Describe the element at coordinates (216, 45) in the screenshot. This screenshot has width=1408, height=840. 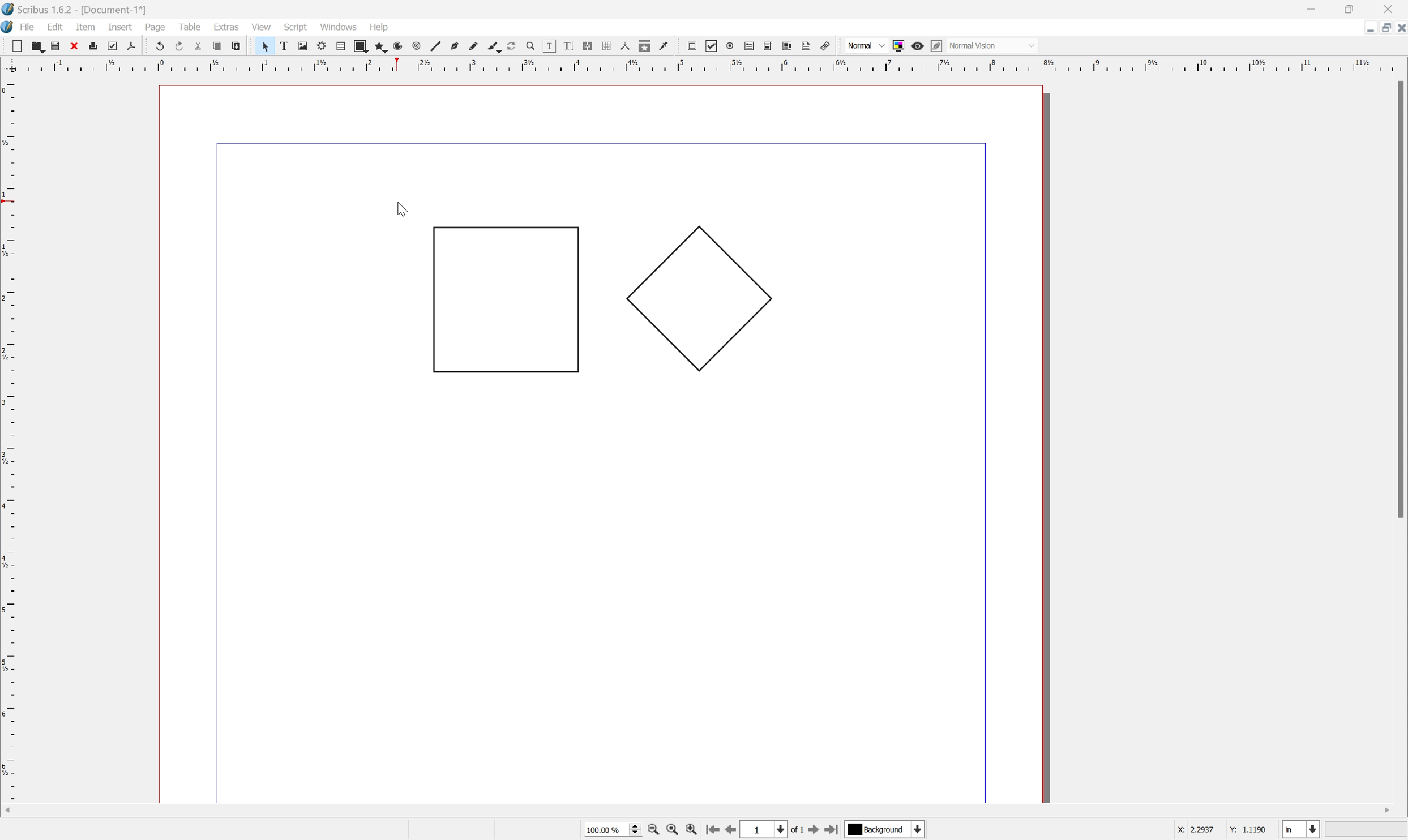
I see `copy` at that location.